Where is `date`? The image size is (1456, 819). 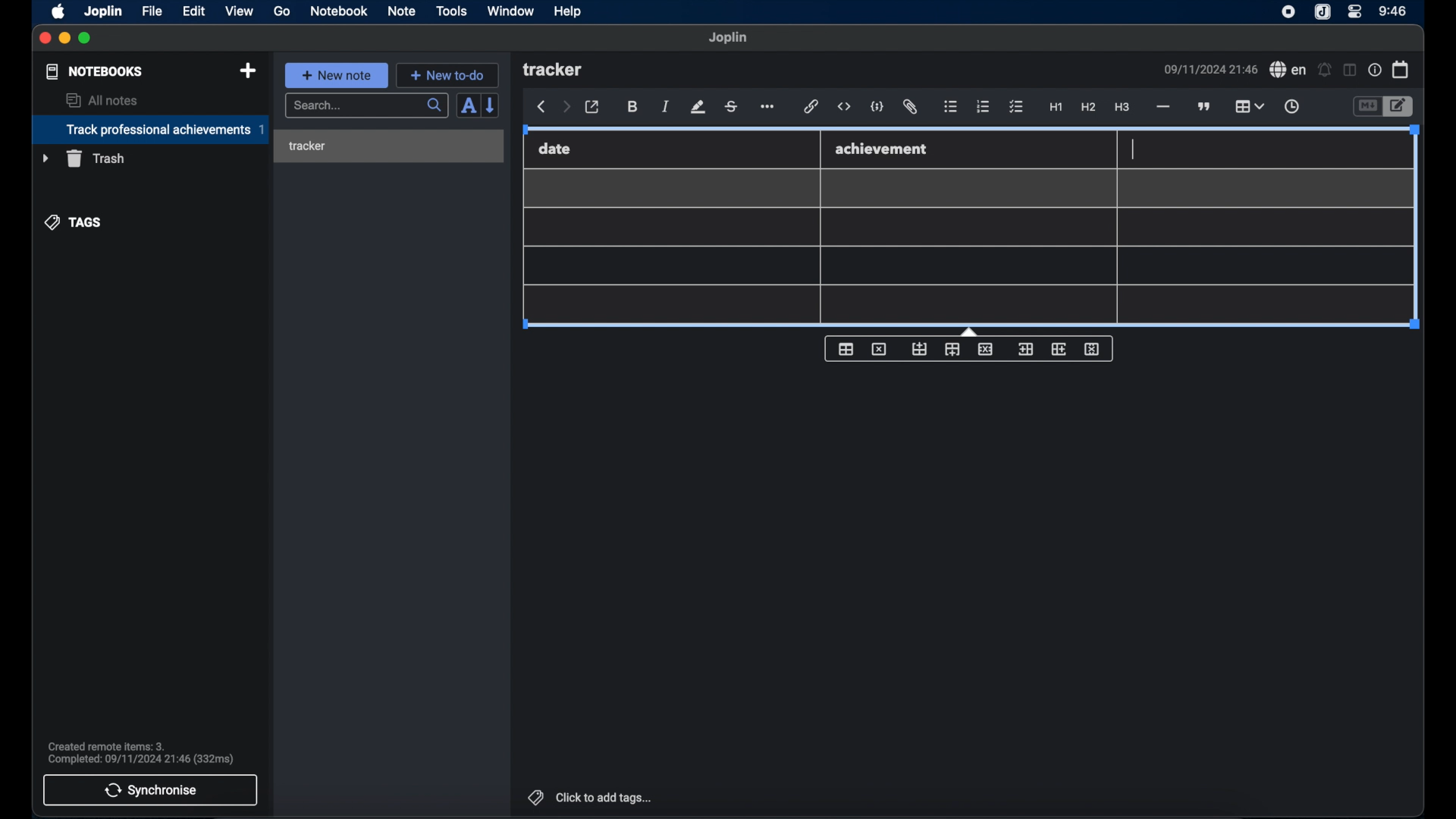 date is located at coordinates (555, 149).